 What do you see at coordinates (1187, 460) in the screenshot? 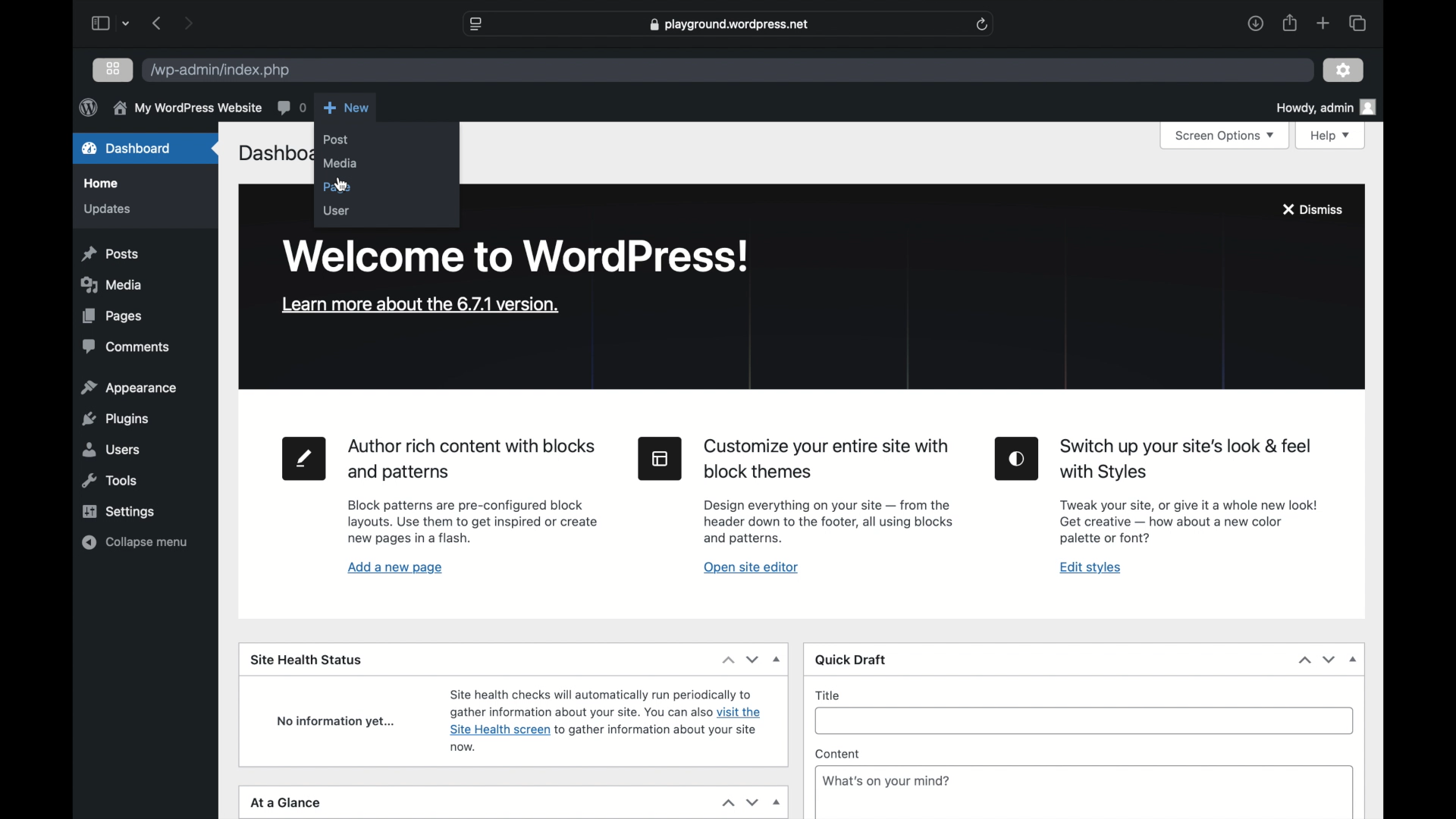
I see `headline` at bounding box center [1187, 460].